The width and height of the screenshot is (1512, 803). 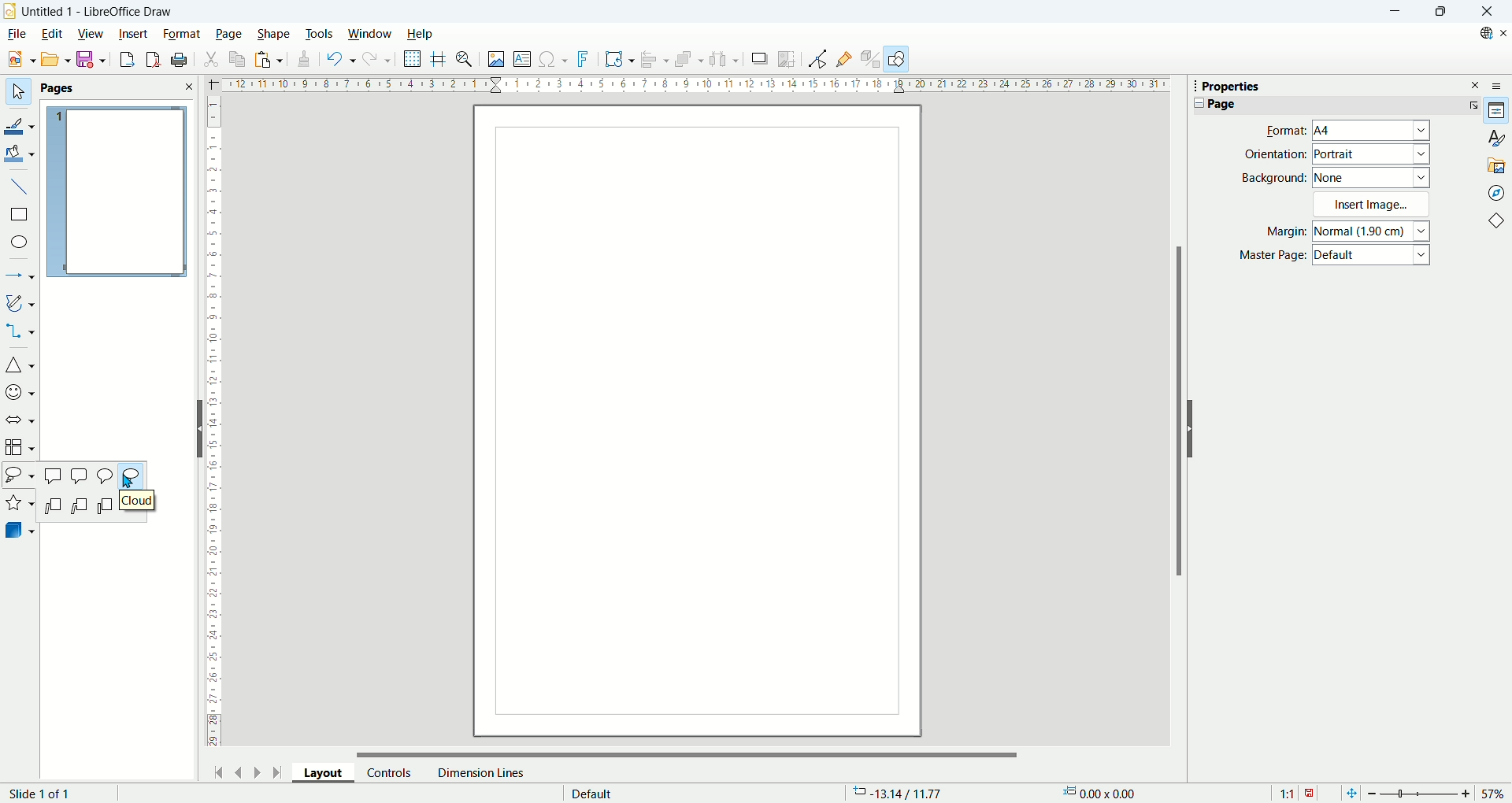 I want to click on None, so click(x=1372, y=176).